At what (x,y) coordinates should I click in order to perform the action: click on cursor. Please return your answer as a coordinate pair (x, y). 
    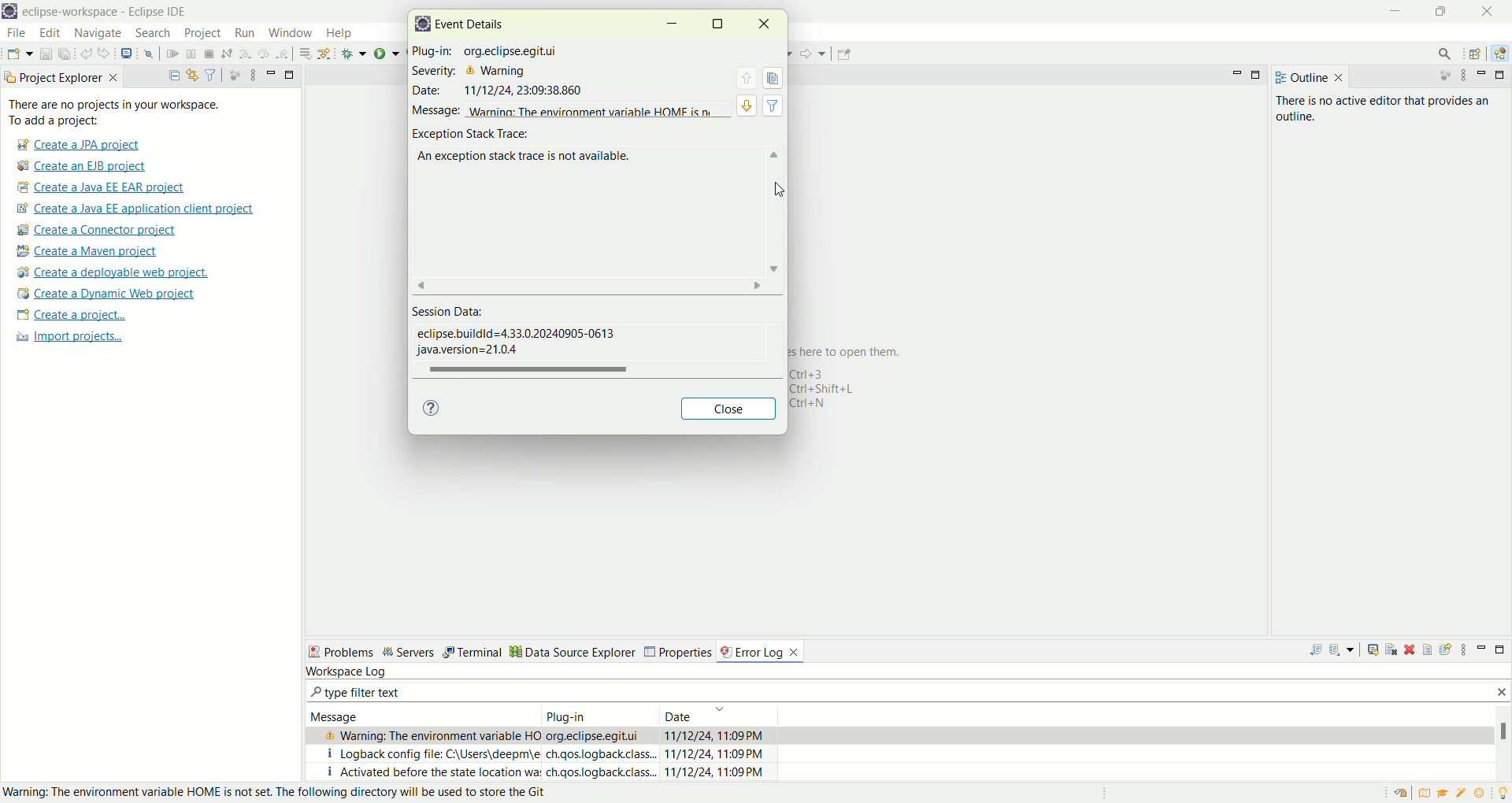
    Looking at the image, I should click on (773, 193).